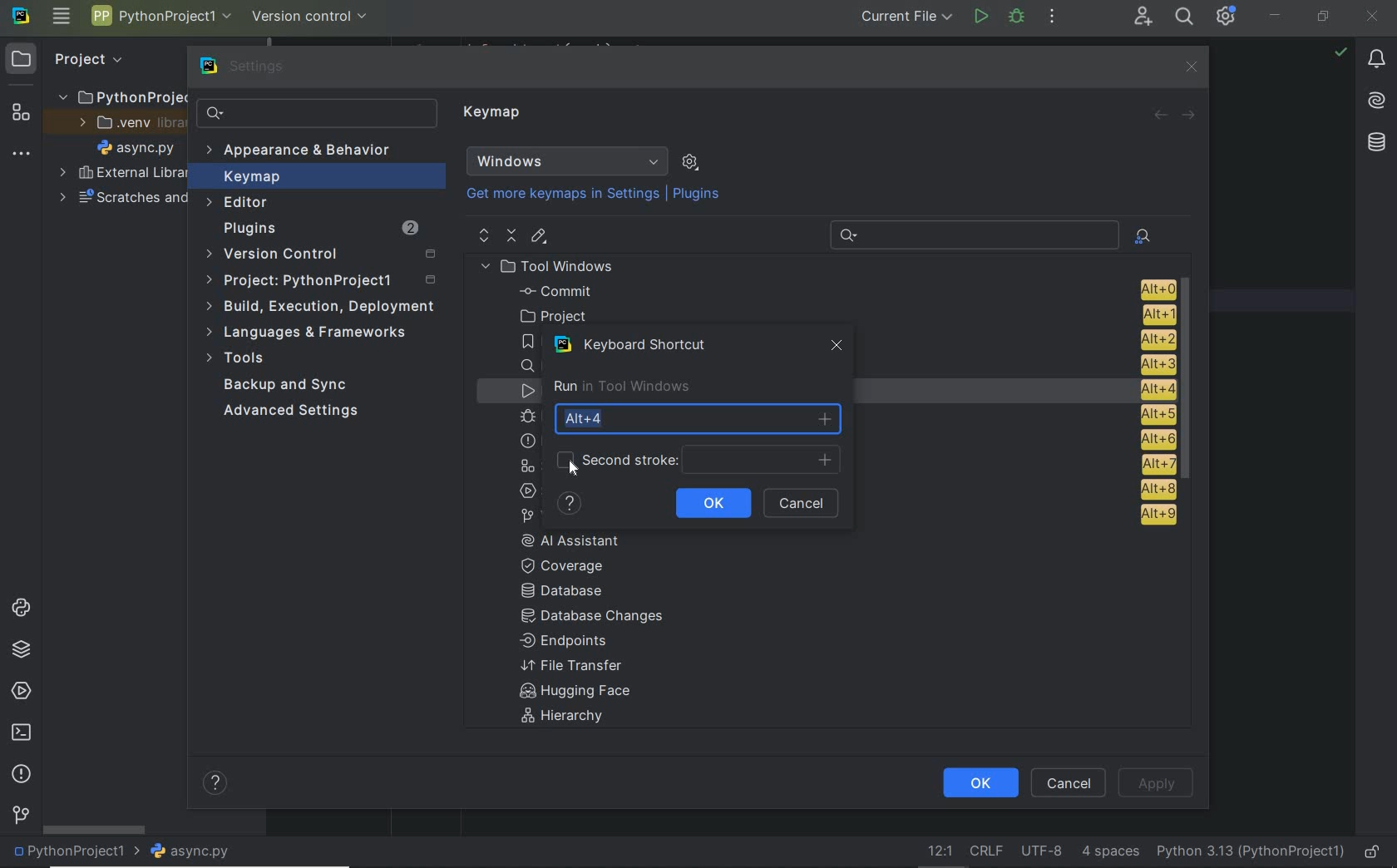 This screenshot has height=868, width=1397. What do you see at coordinates (1155, 518) in the screenshot?
I see `alt + 9` at bounding box center [1155, 518].